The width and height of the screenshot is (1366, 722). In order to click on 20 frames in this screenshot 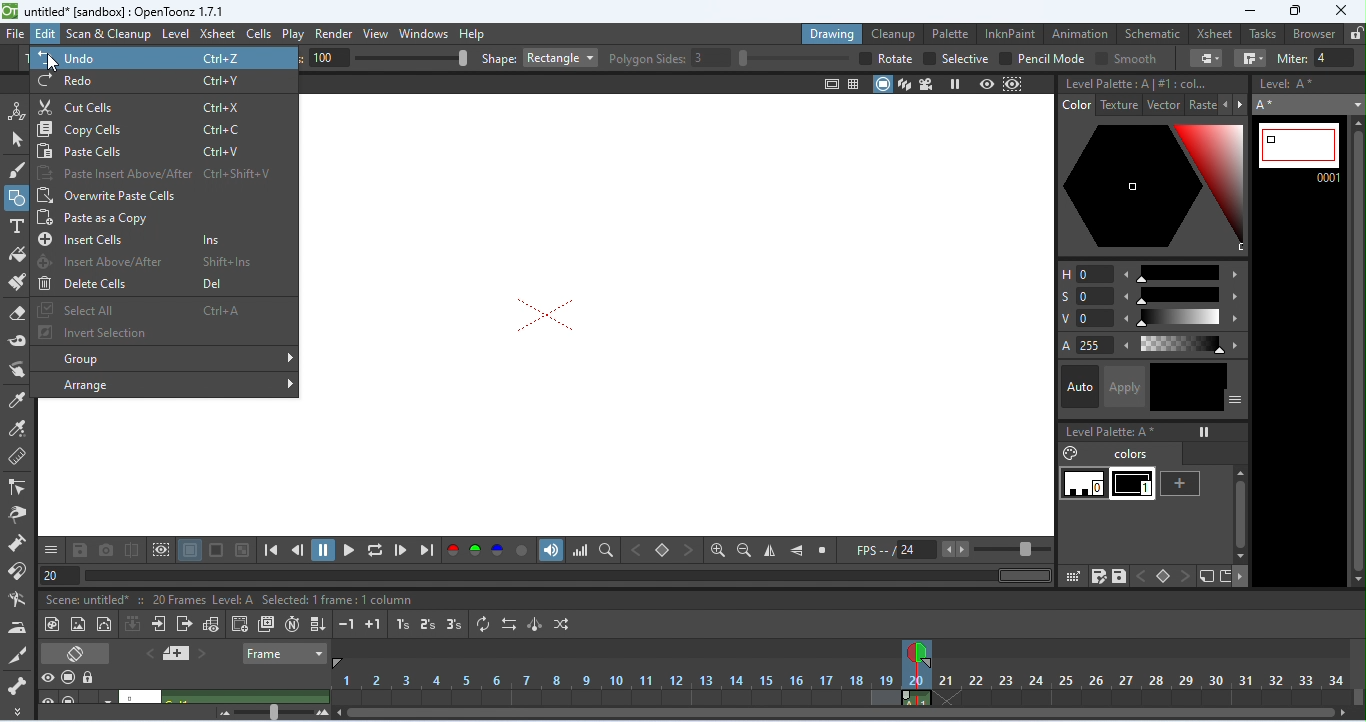, I will do `click(171, 599)`.